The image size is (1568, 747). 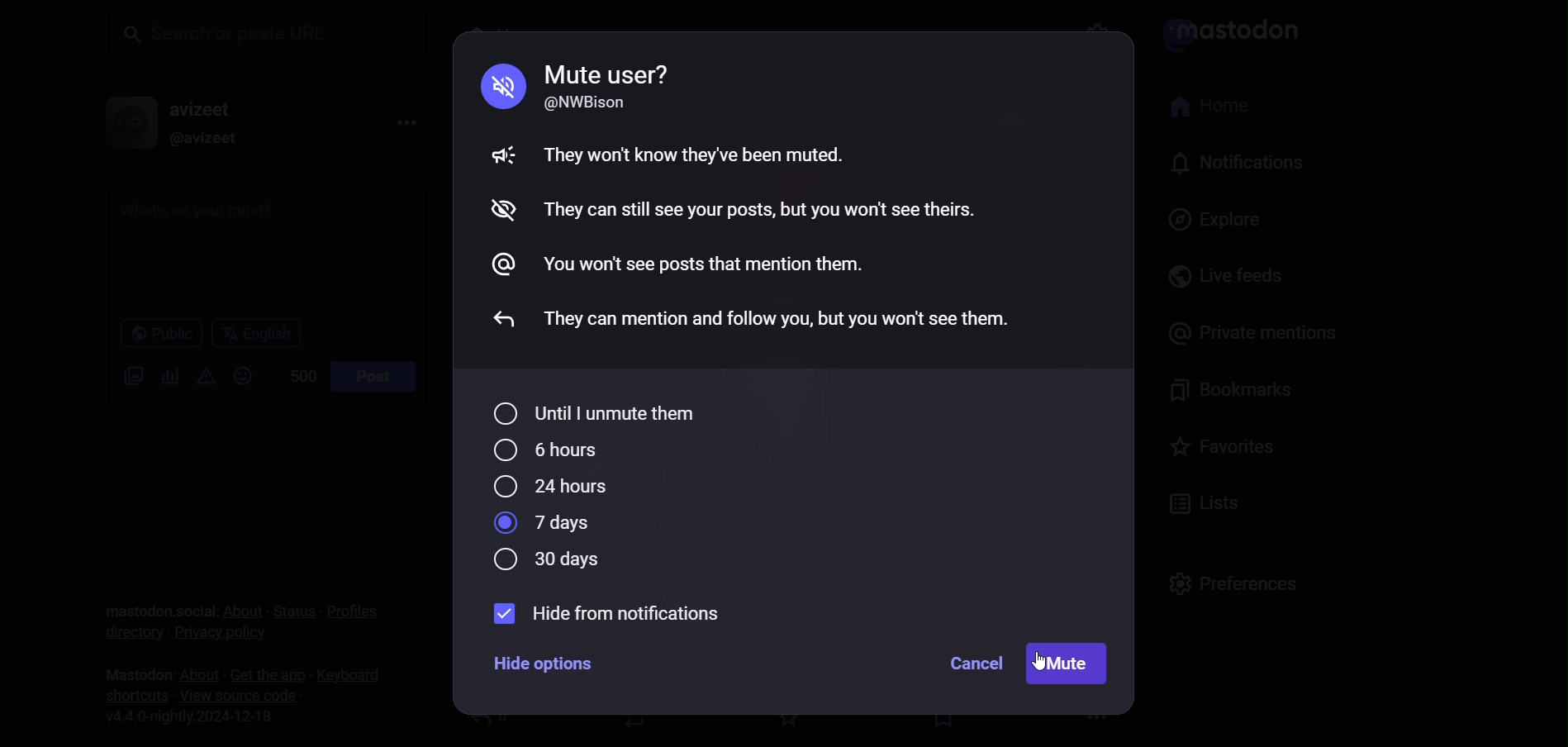 I want to click on until i unmute them, so click(x=606, y=412).